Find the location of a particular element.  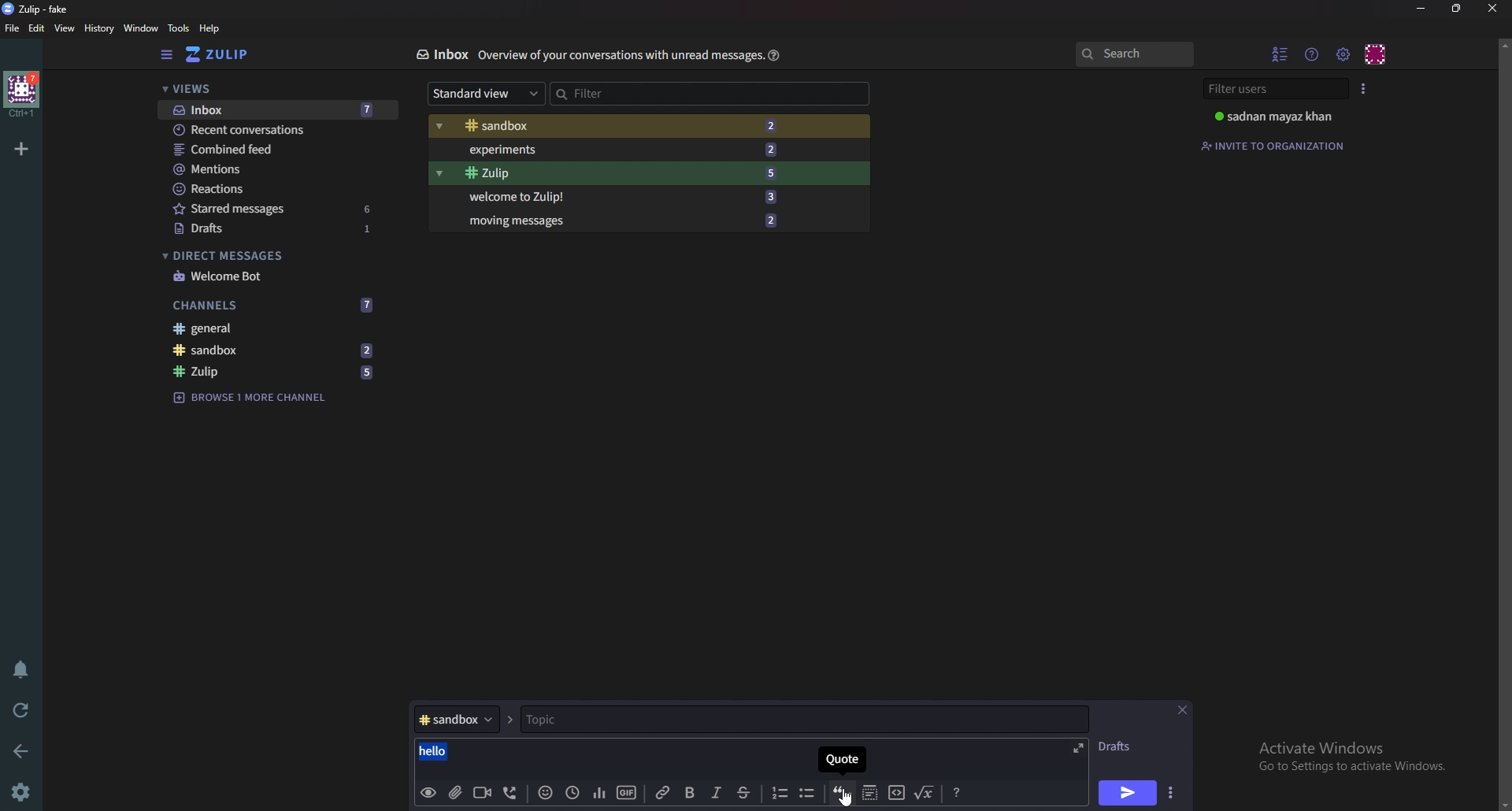

# zulip is located at coordinates (228, 371).